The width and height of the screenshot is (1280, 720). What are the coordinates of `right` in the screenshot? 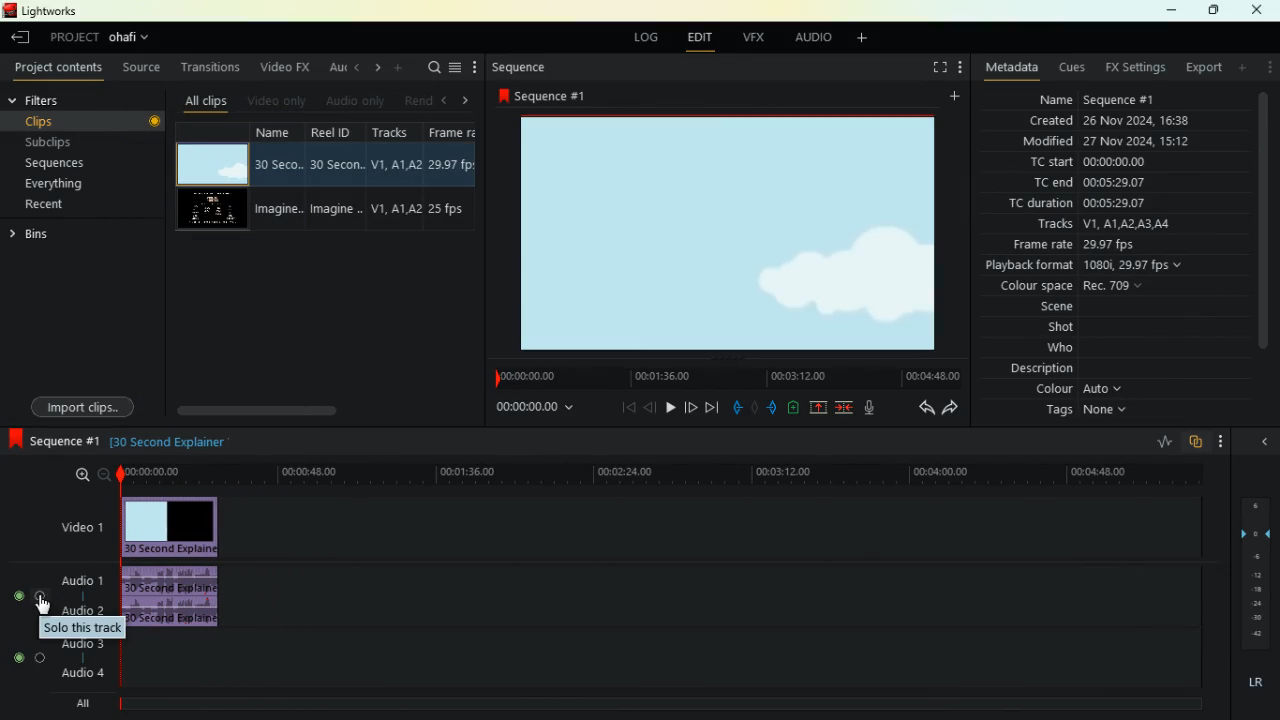 It's located at (463, 98).